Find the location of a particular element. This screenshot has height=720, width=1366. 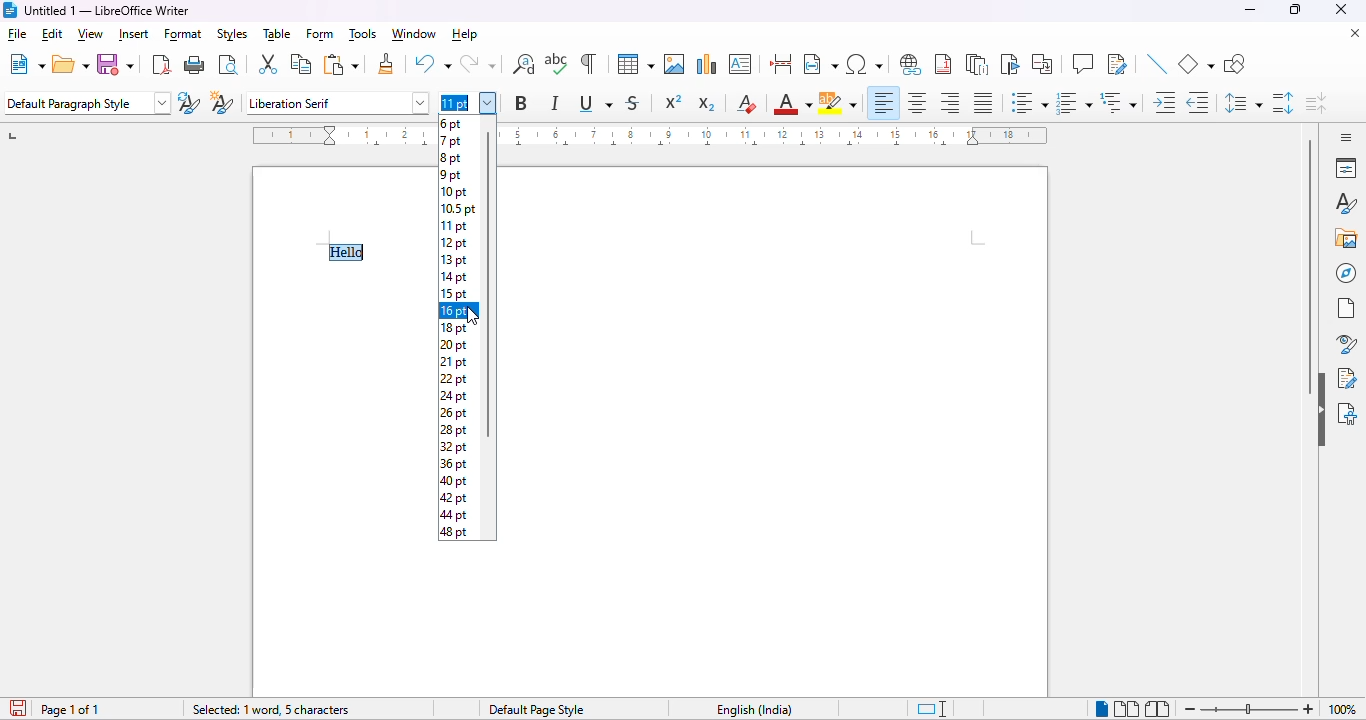

edit is located at coordinates (51, 34).